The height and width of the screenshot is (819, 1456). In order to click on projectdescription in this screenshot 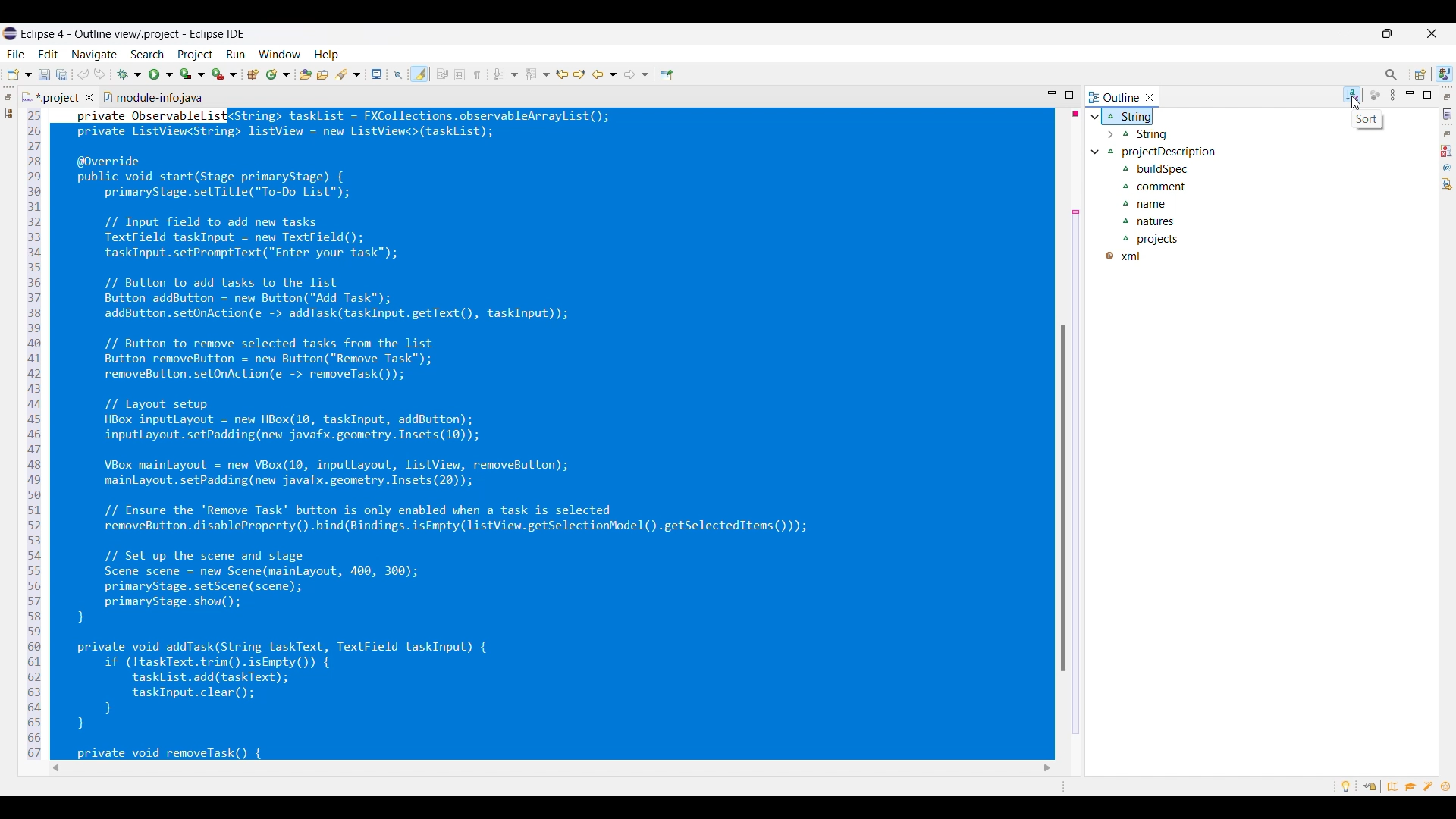, I will do `click(1172, 154)`.